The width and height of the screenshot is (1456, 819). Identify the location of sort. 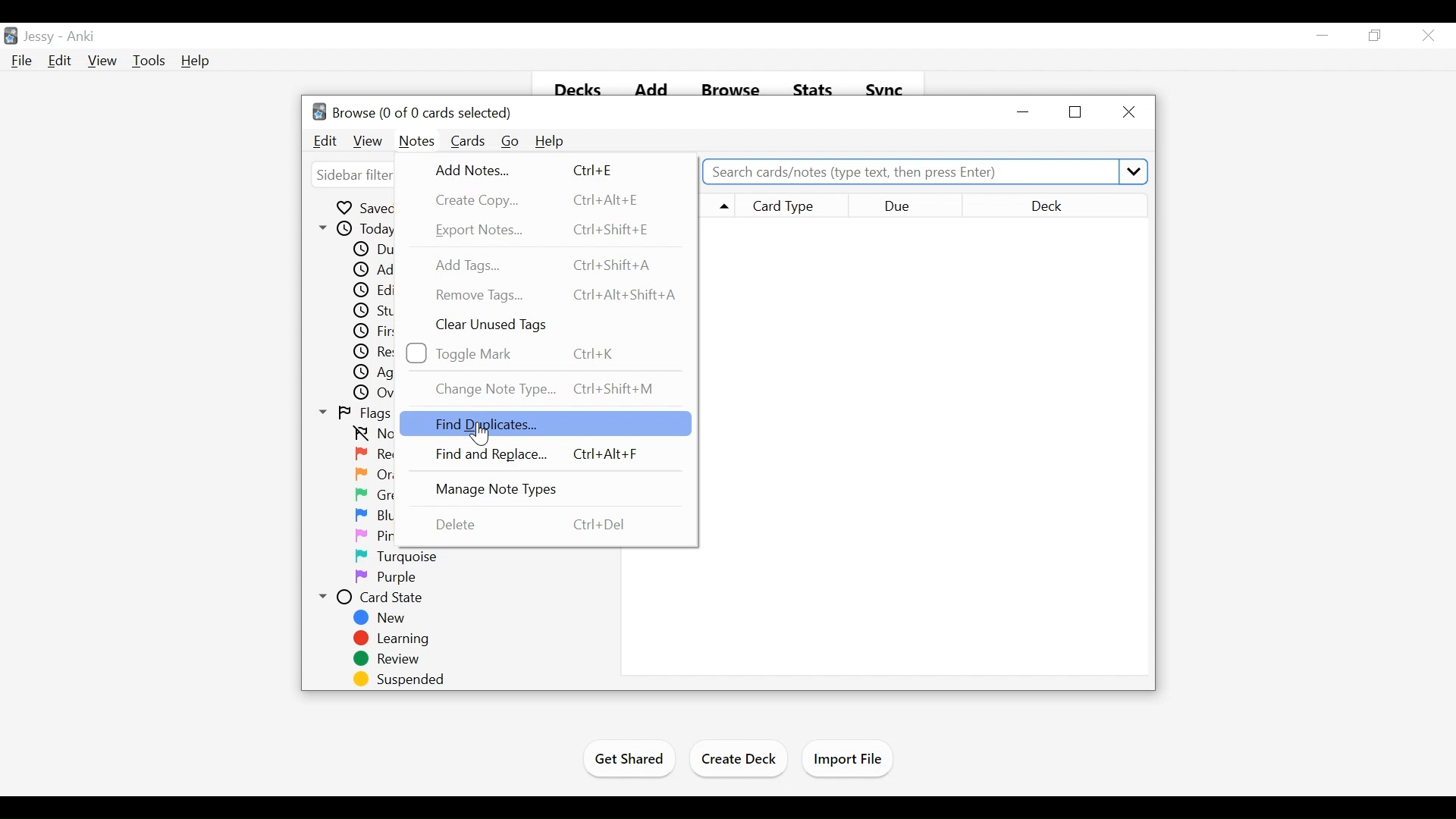
(717, 207).